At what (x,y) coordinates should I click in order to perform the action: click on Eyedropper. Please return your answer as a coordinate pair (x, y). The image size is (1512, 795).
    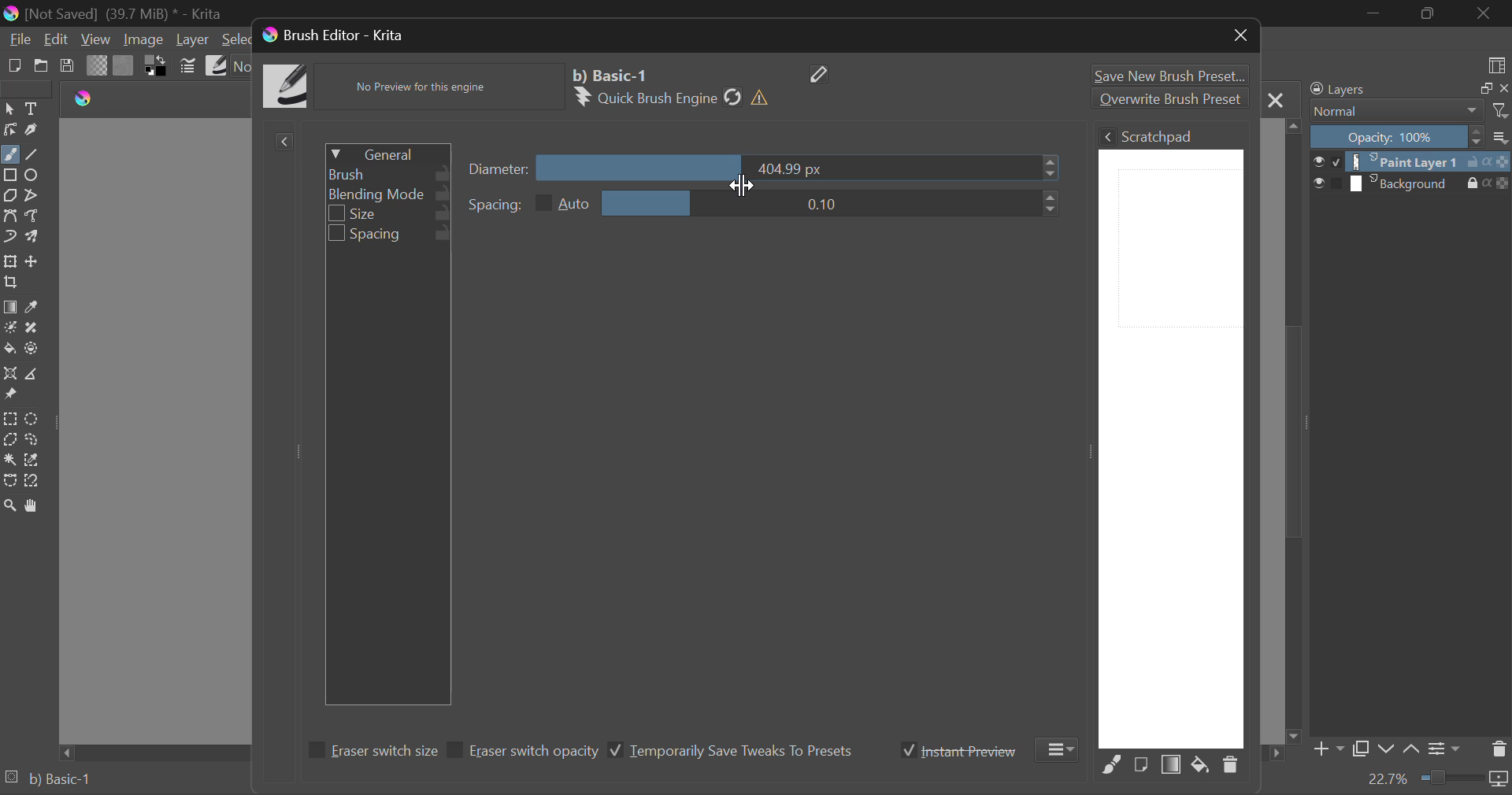
    Looking at the image, I should click on (35, 307).